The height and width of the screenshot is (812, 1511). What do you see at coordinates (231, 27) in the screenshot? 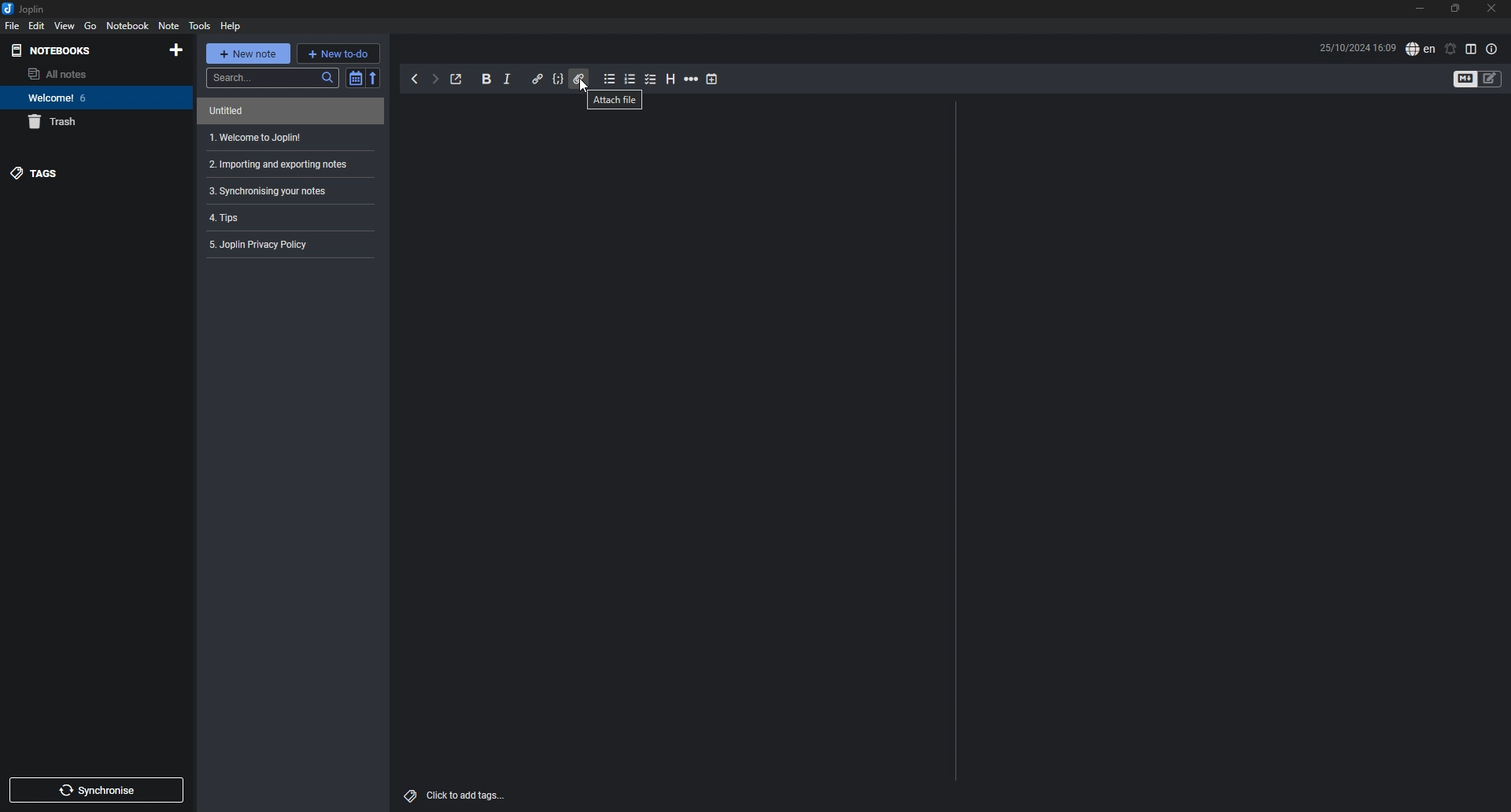
I see `help` at bounding box center [231, 27].